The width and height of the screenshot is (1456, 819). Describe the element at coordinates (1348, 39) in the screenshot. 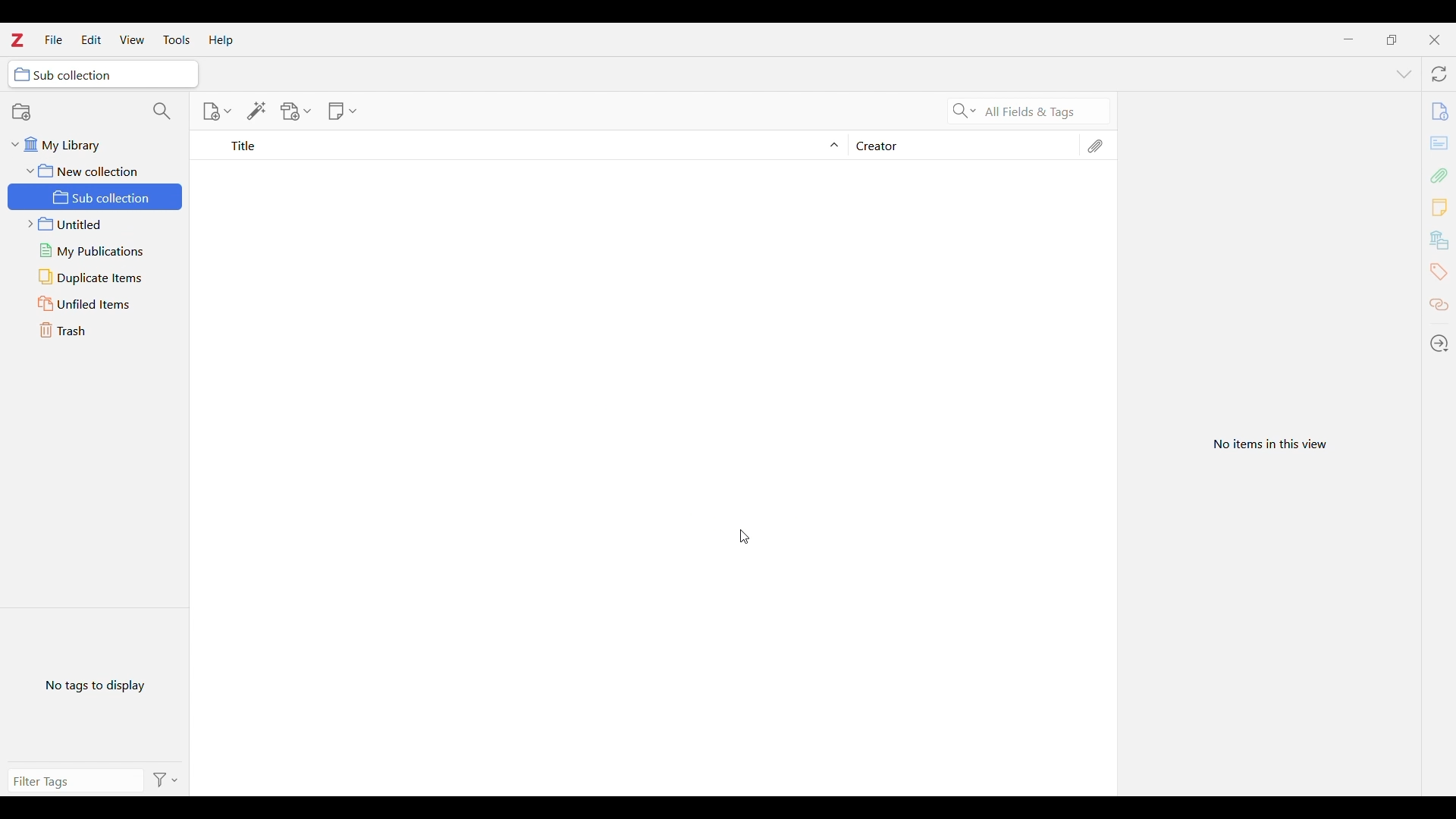

I see `Minimize` at that location.